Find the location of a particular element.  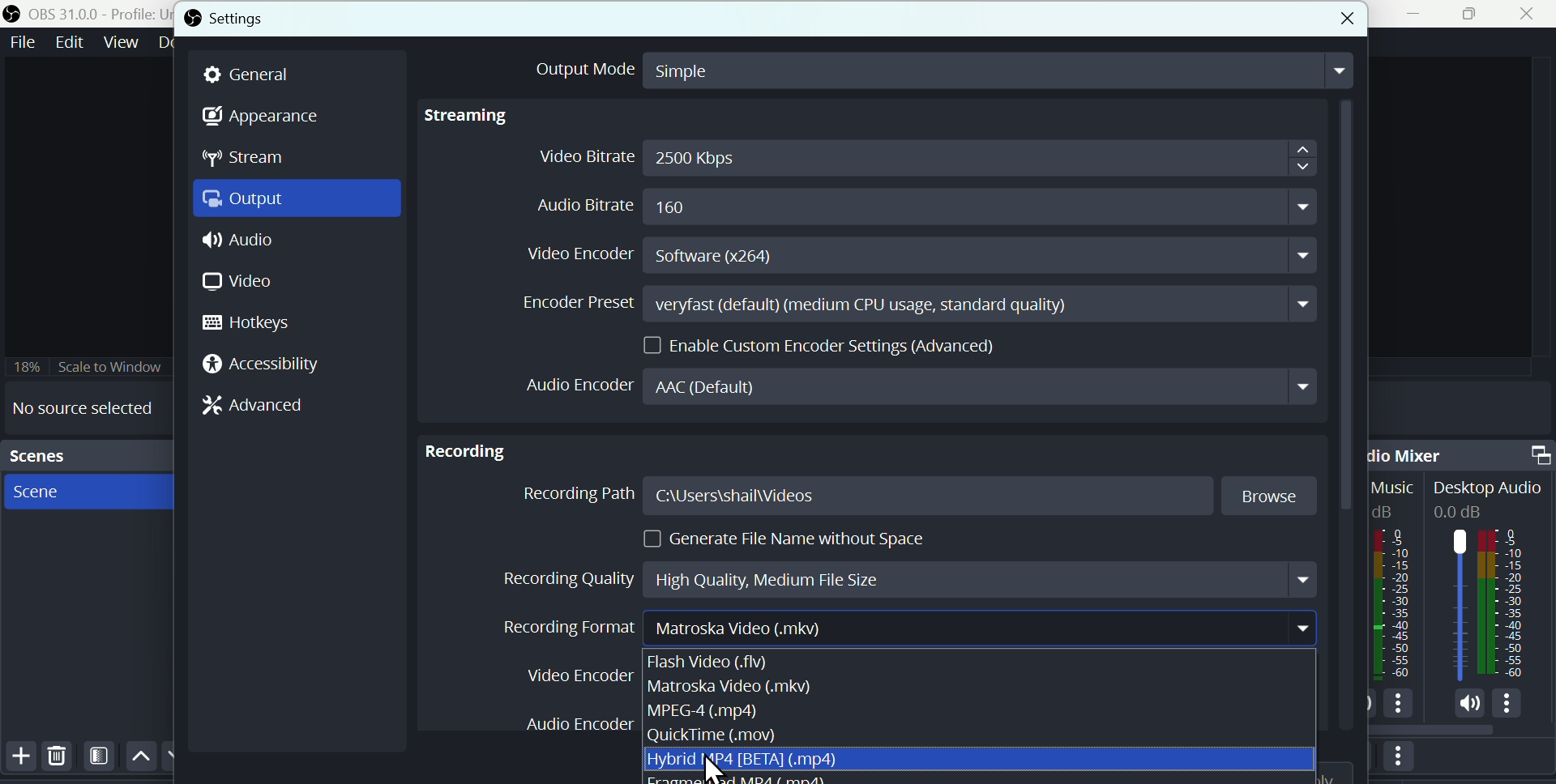

Audio is located at coordinates (241, 239).